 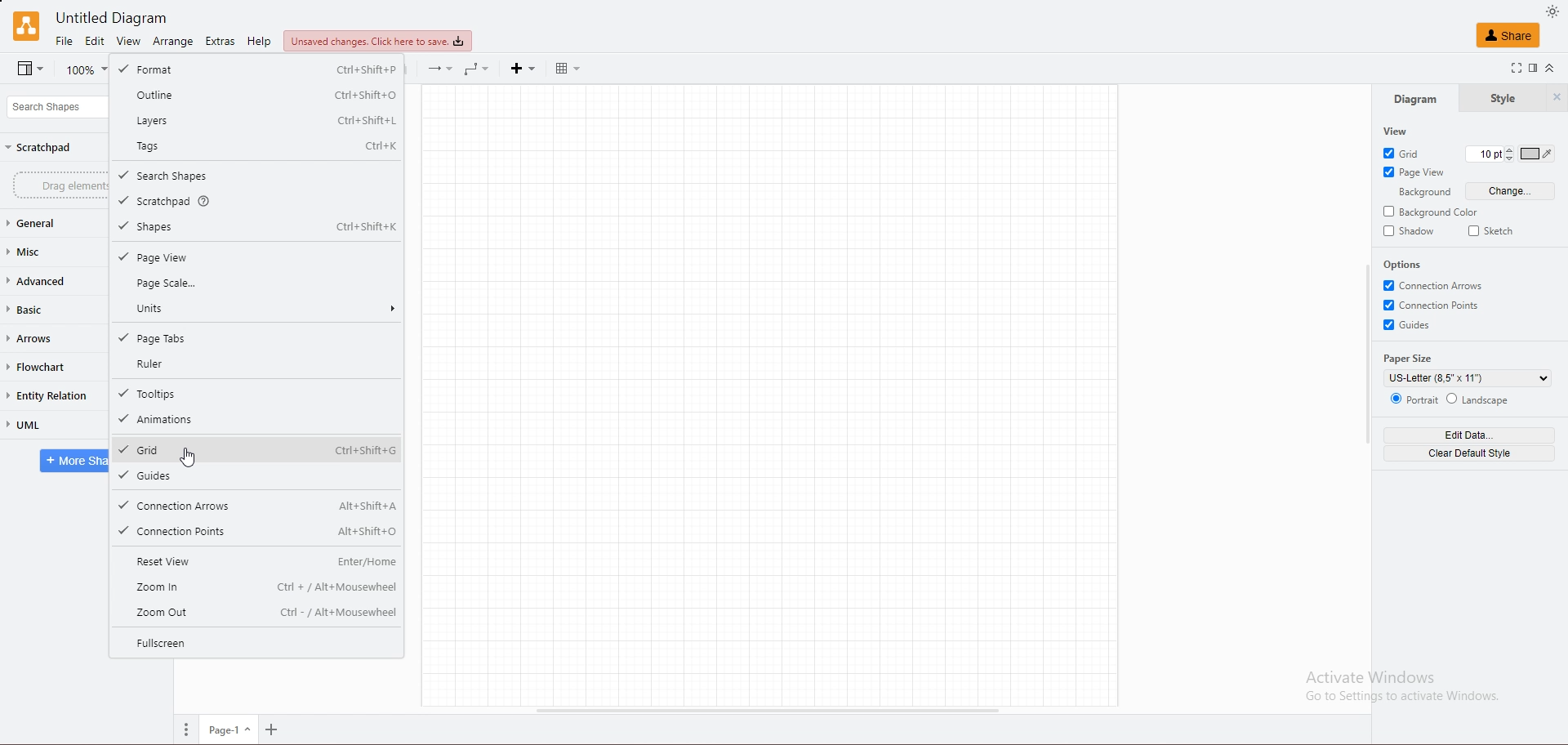 I want to click on format      Ctrl+Shift+P, so click(x=257, y=69).